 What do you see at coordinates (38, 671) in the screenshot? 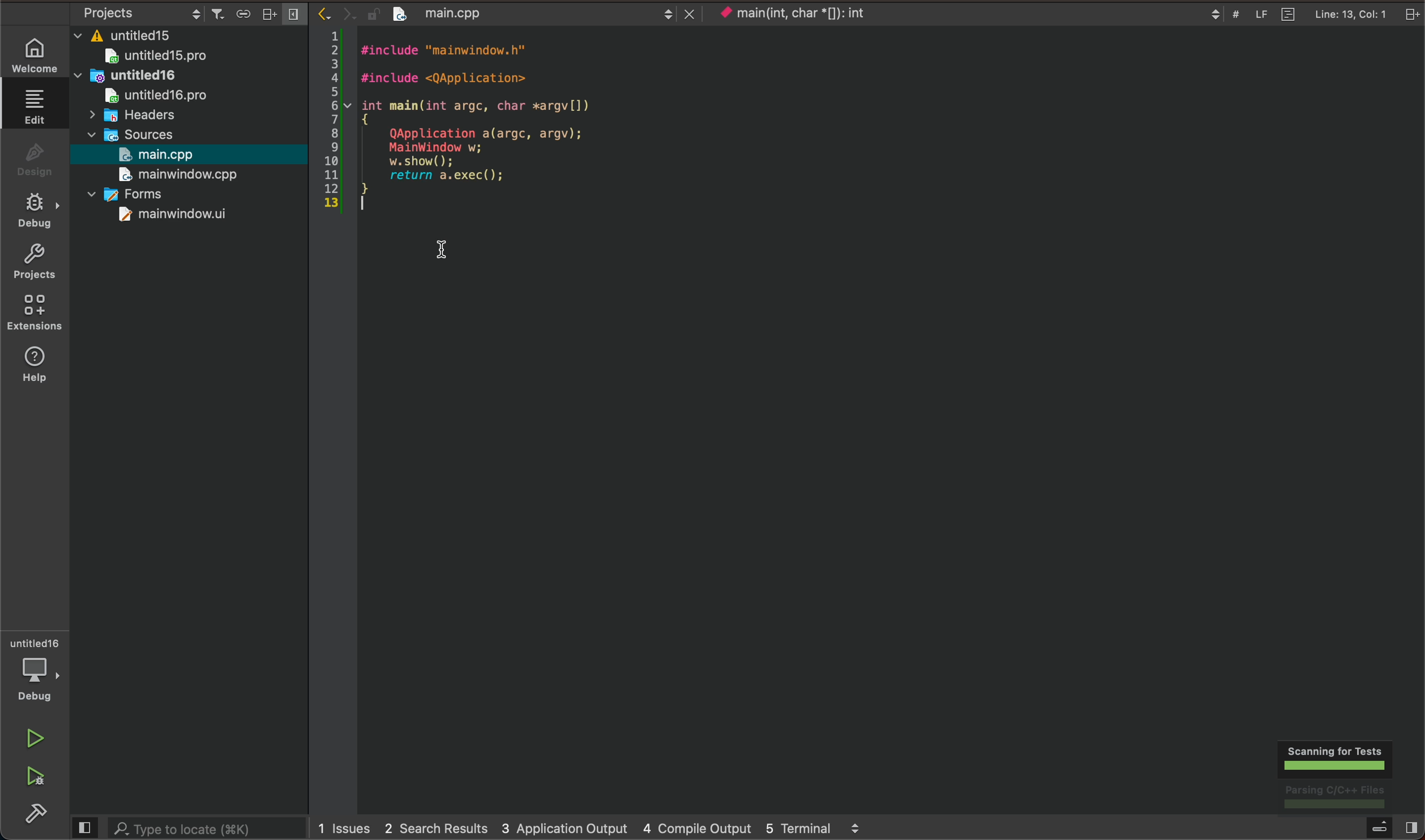
I see `debugger` at bounding box center [38, 671].